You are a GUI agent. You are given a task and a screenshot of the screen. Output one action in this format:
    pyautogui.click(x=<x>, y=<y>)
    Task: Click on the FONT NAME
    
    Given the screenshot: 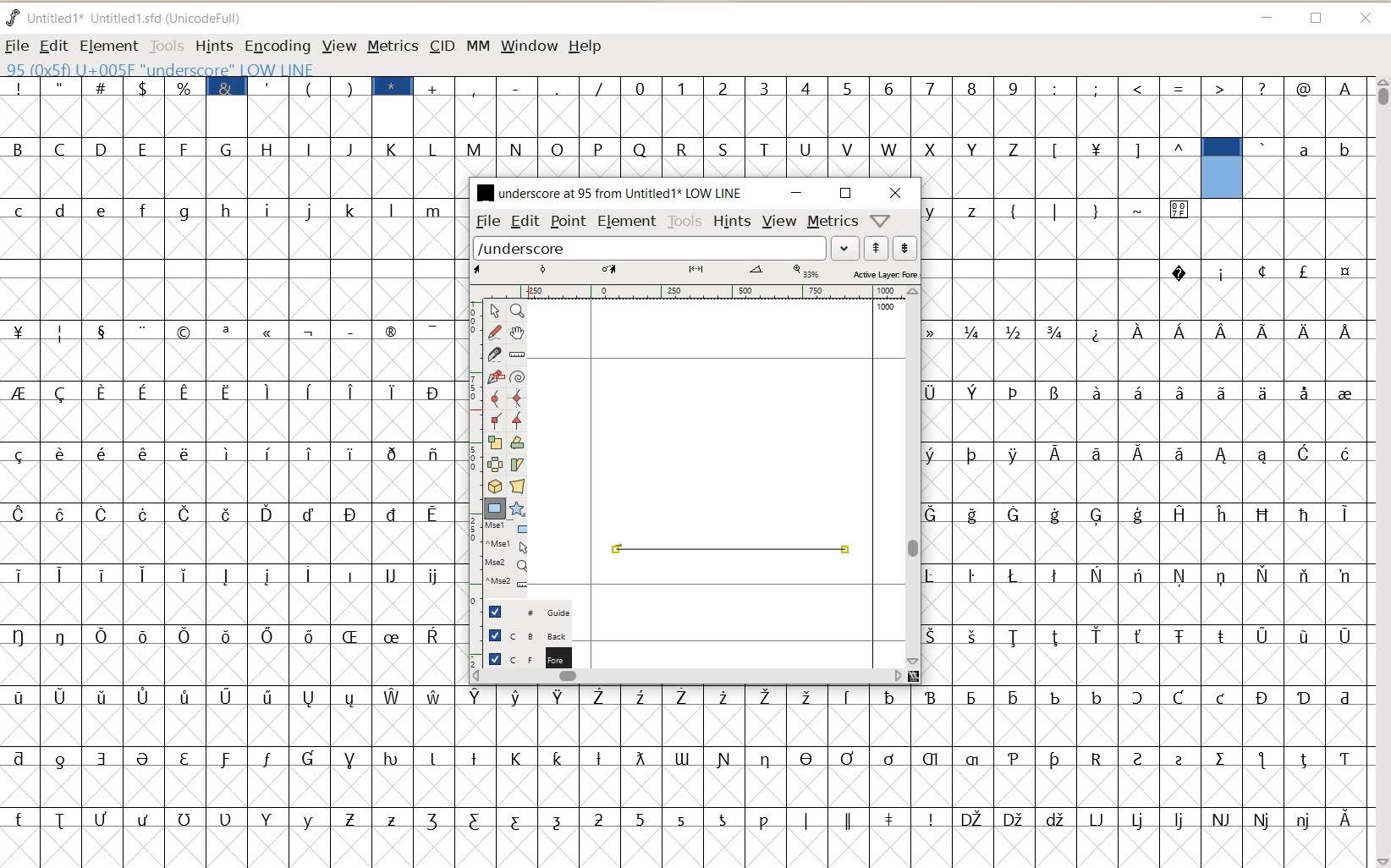 What is the action you would take?
    pyautogui.click(x=608, y=192)
    